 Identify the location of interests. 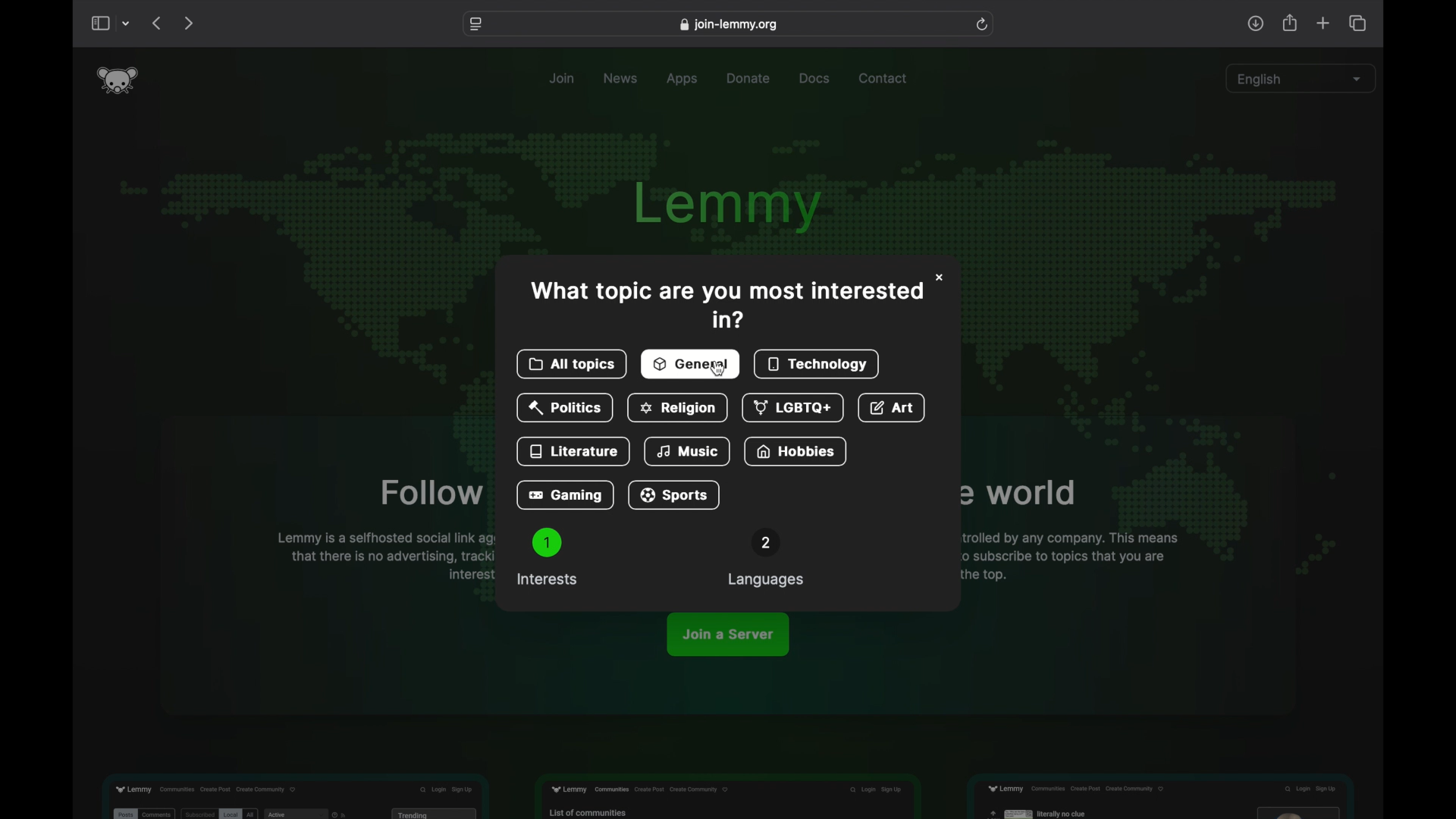
(547, 557).